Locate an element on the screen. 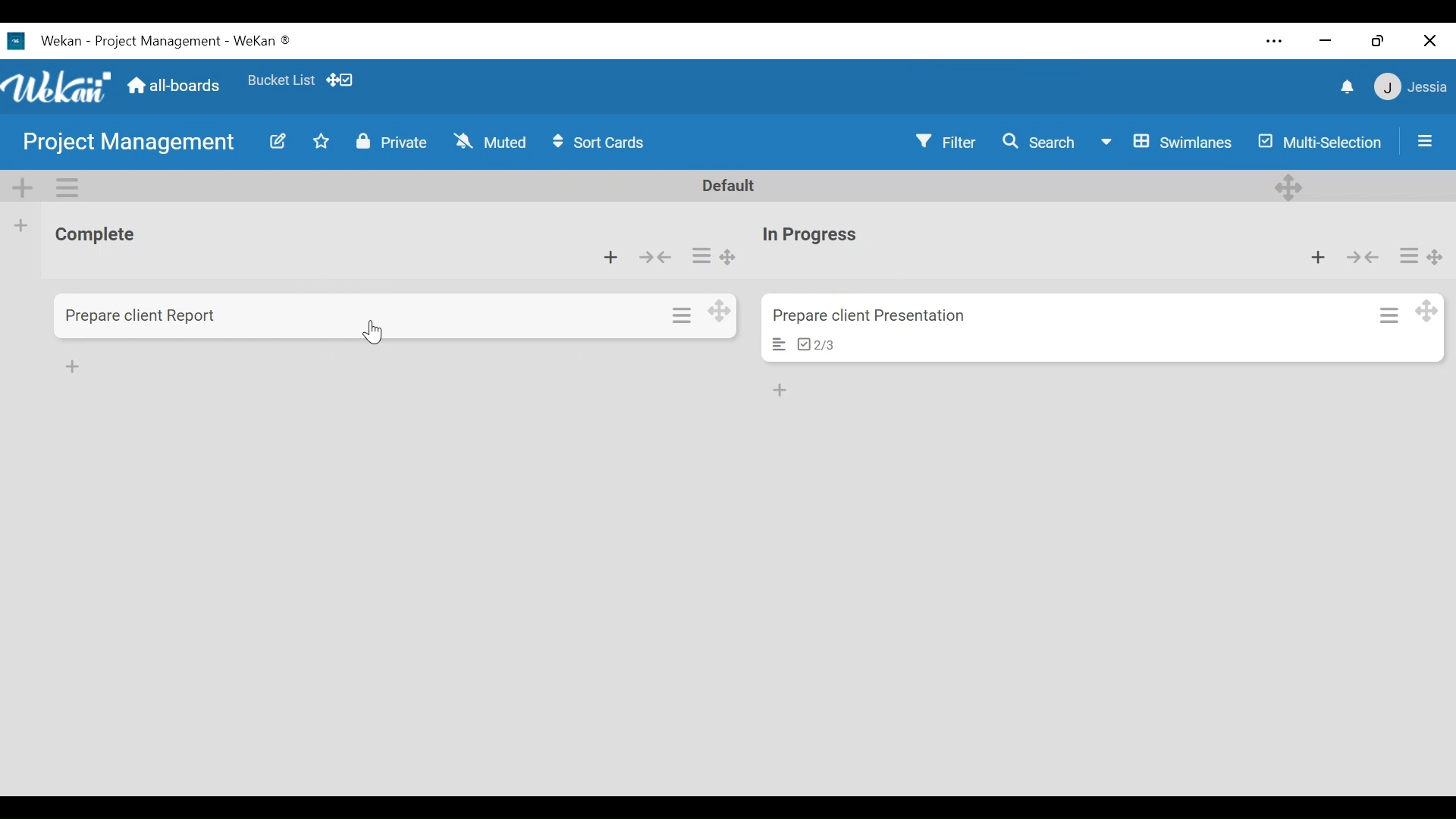  Add Swimlane  is located at coordinates (20, 186).